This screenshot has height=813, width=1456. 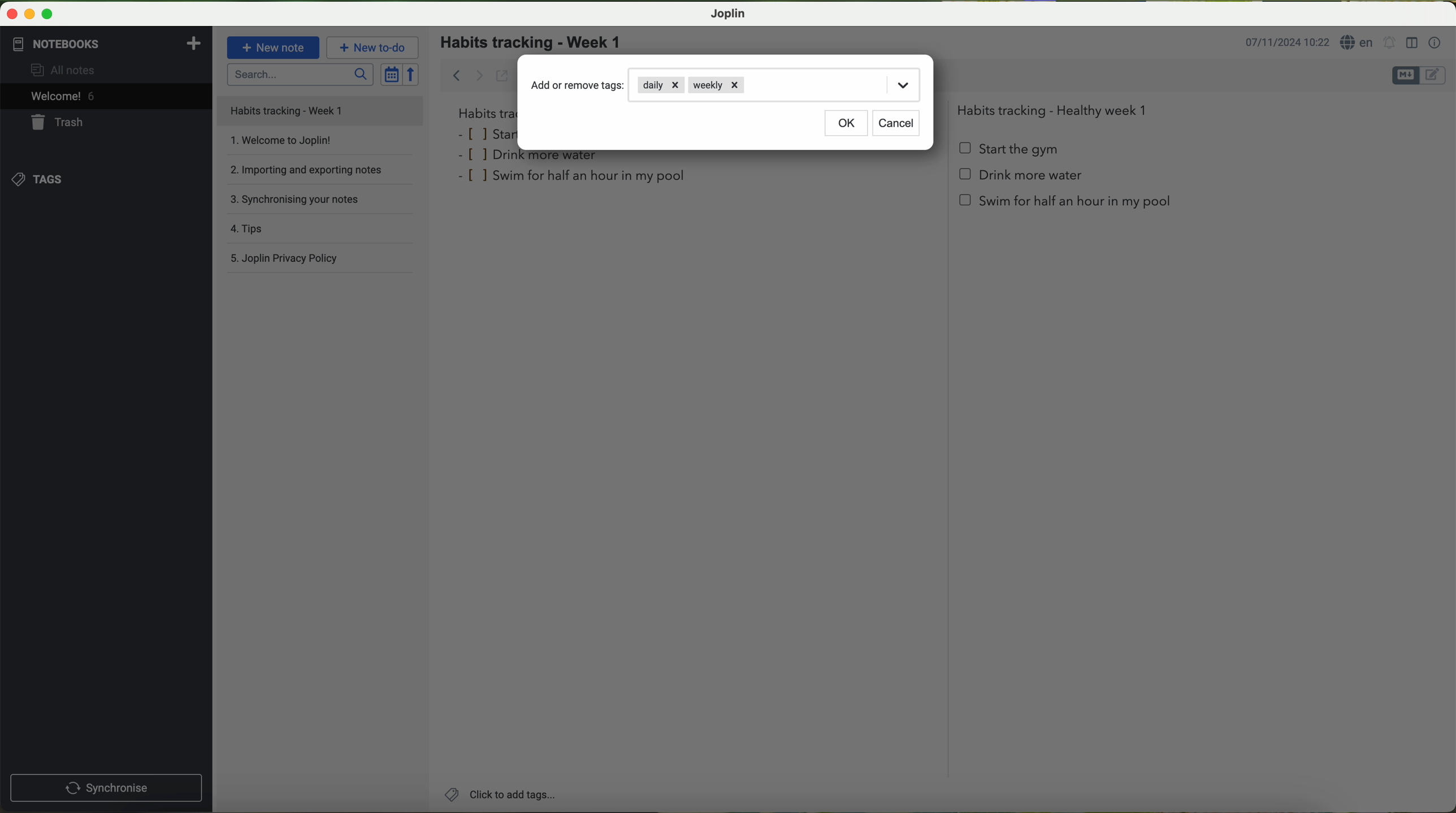 What do you see at coordinates (1067, 205) in the screenshot?
I see `swim for half an hour in my pool` at bounding box center [1067, 205].